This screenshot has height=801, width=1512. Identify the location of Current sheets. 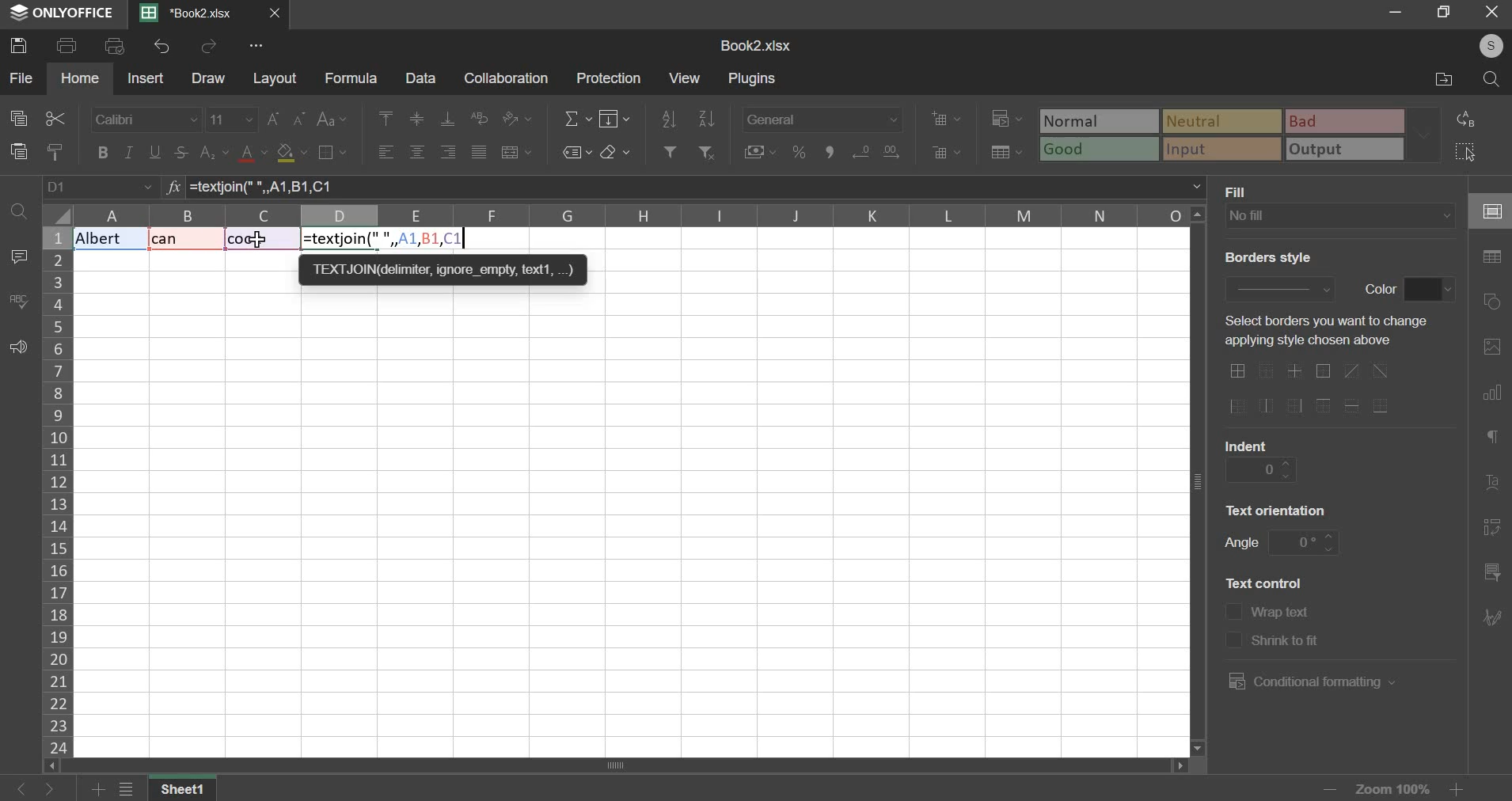
(194, 13).